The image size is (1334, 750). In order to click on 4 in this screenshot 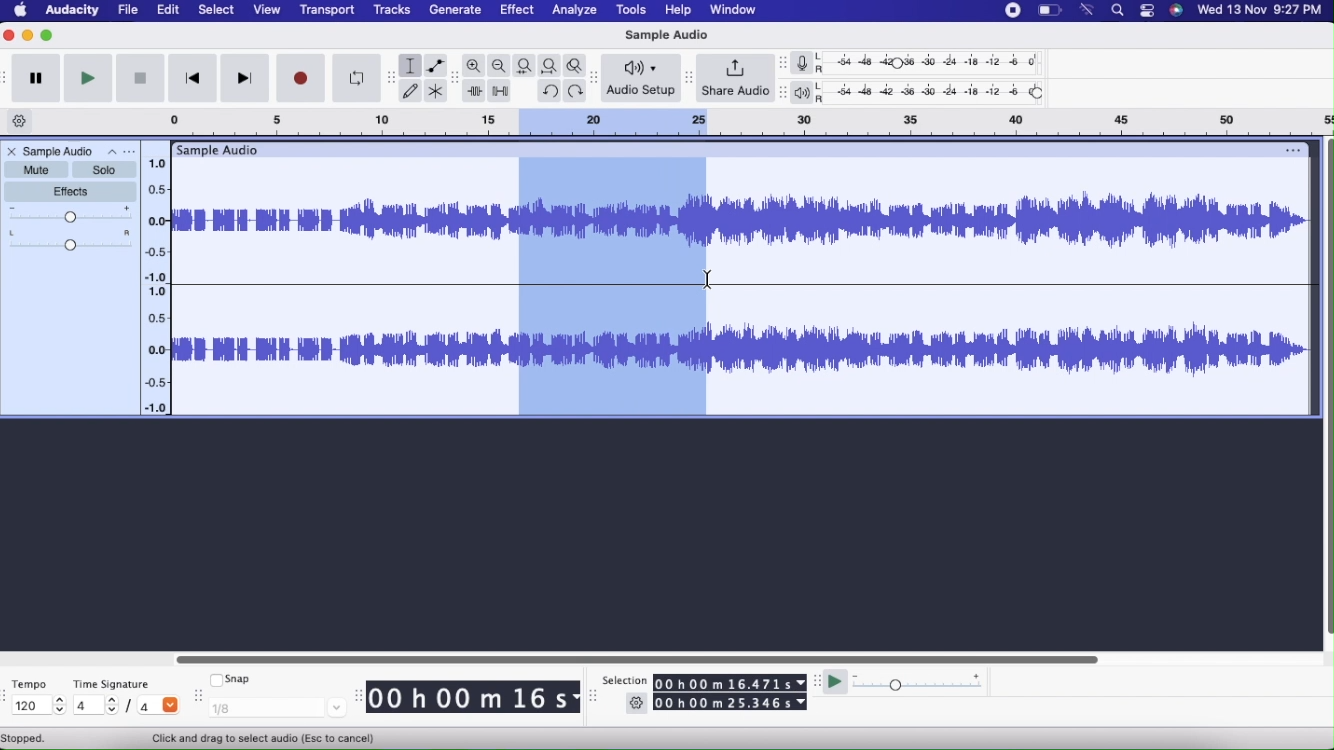, I will do `click(159, 704)`.